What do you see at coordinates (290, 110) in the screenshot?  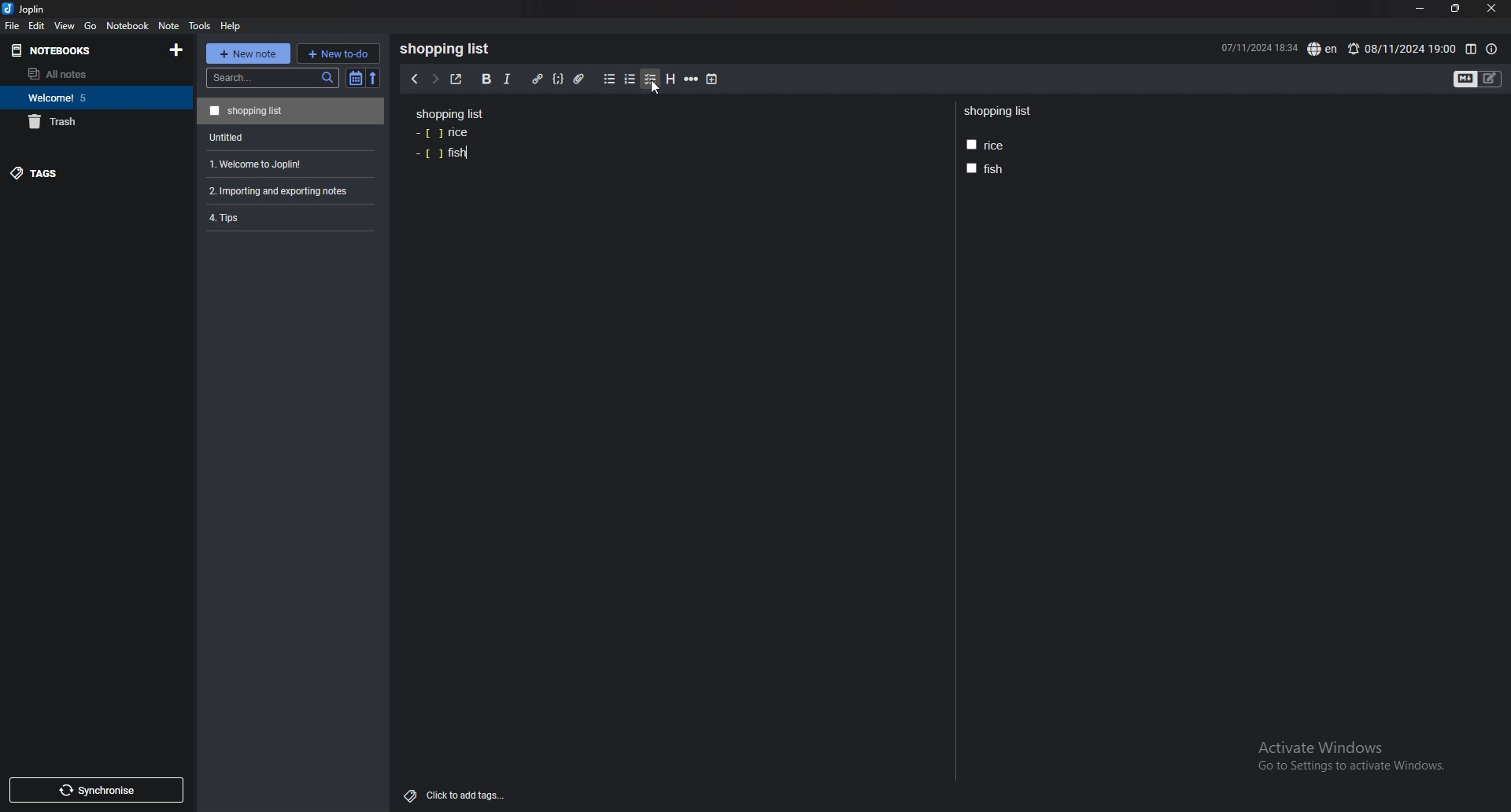 I see `Shopping list` at bounding box center [290, 110].